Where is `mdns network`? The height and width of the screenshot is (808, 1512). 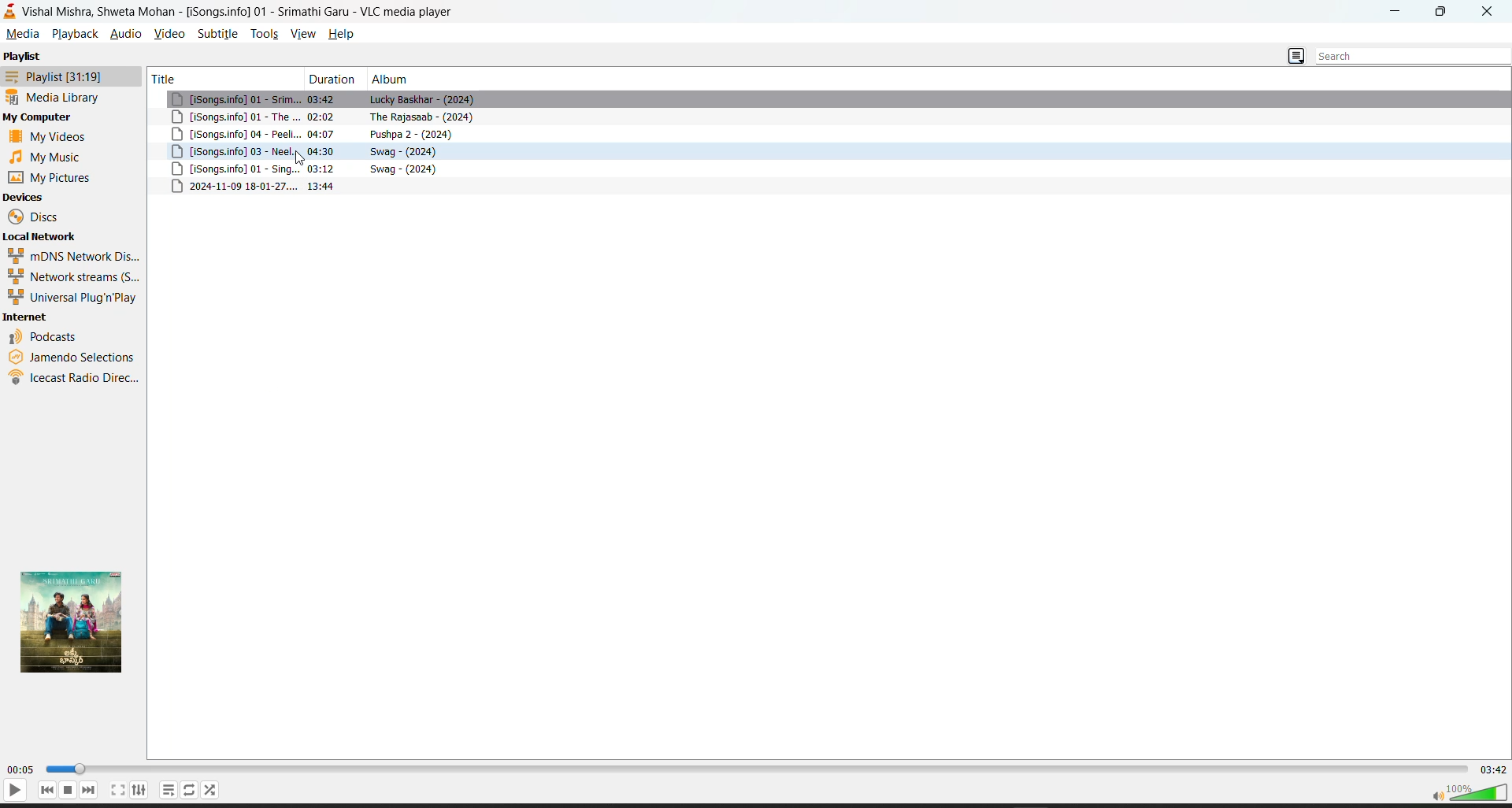
mdns network is located at coordinates (73, 256).